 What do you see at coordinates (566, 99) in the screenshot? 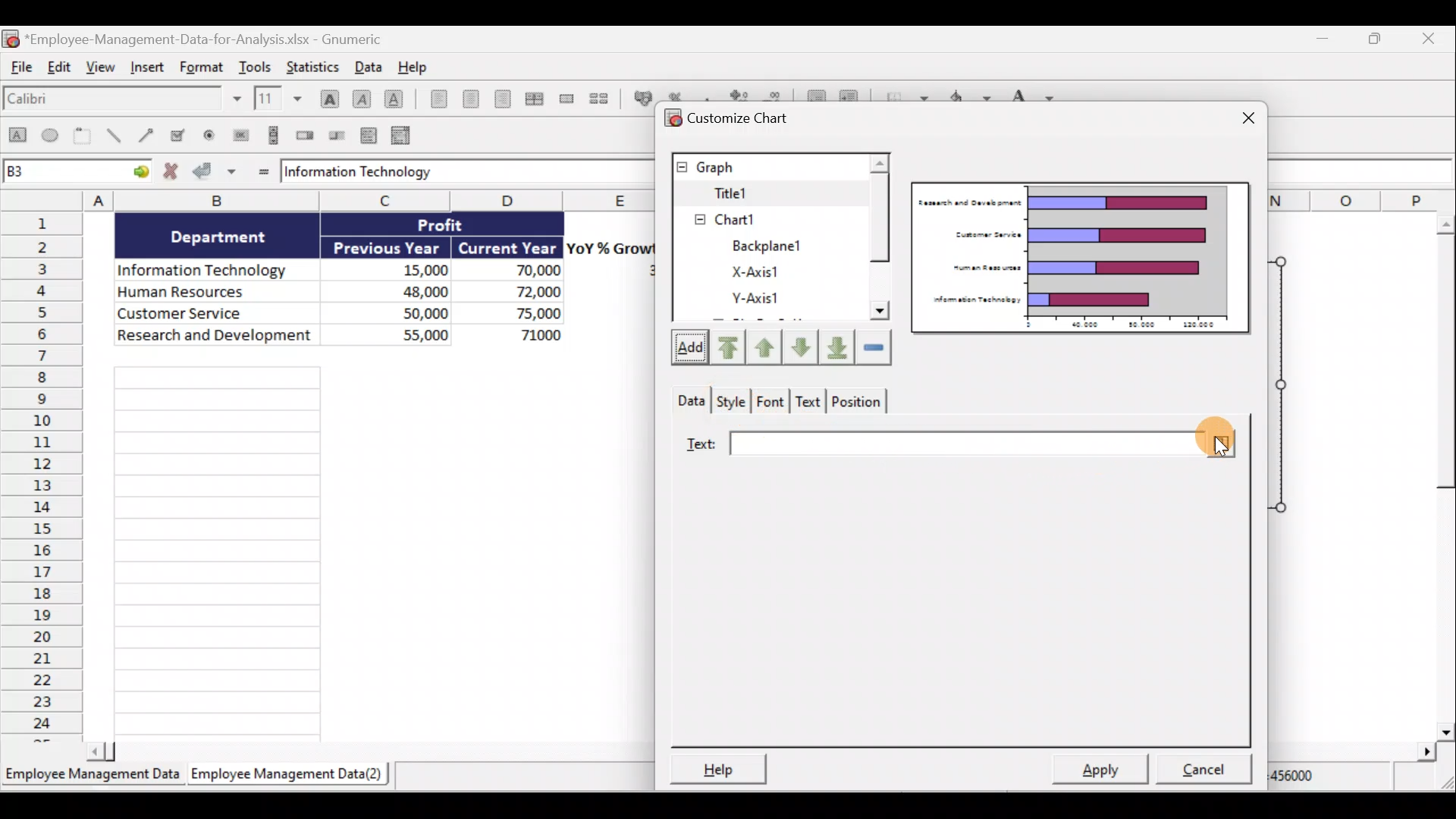
I see `Merge a range of cells` at bounding box center [566, 99].